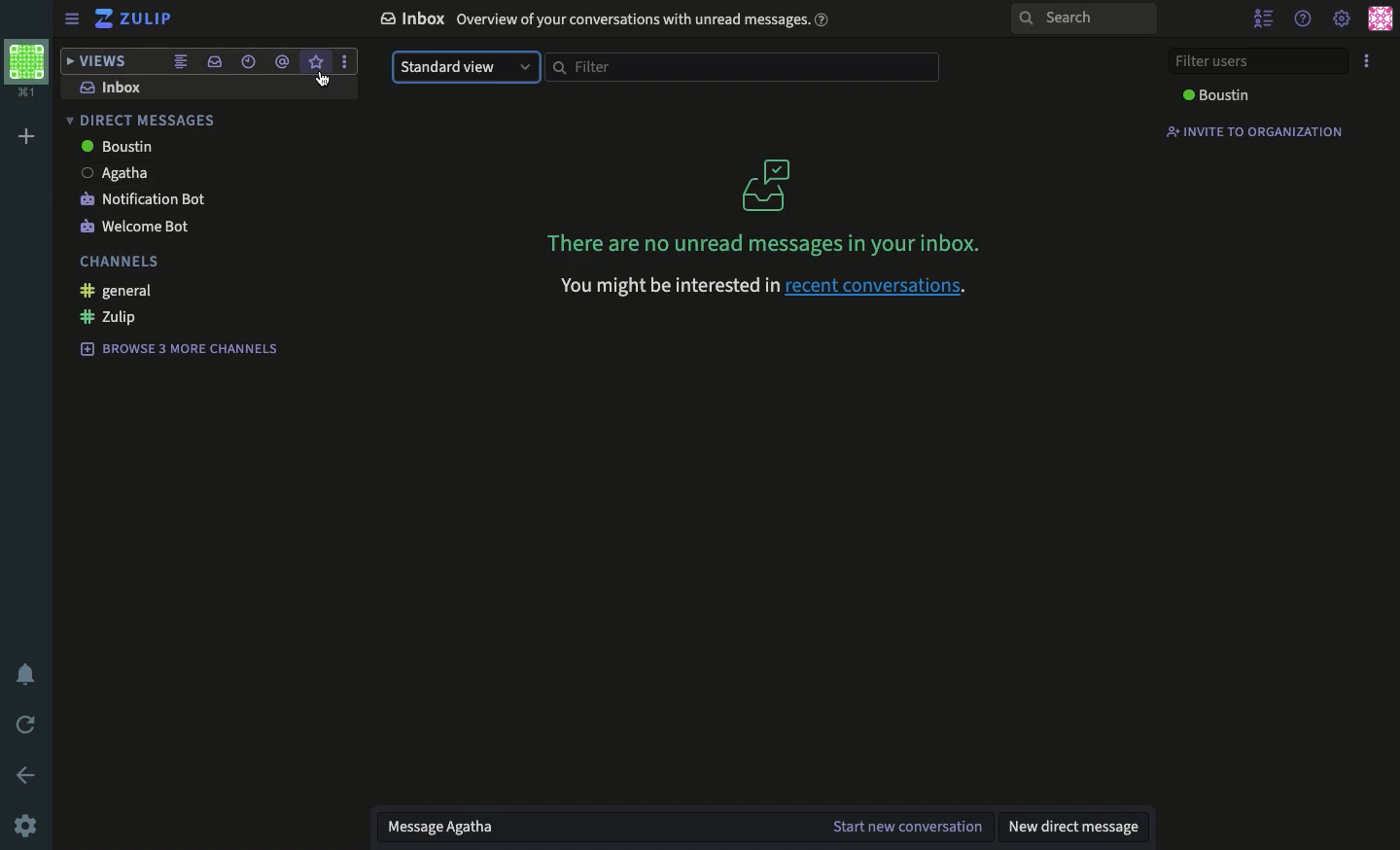  What do you see at coordinates (106, 319) in the screenshot?
I see `zulip` at bounding box center [106, 319].